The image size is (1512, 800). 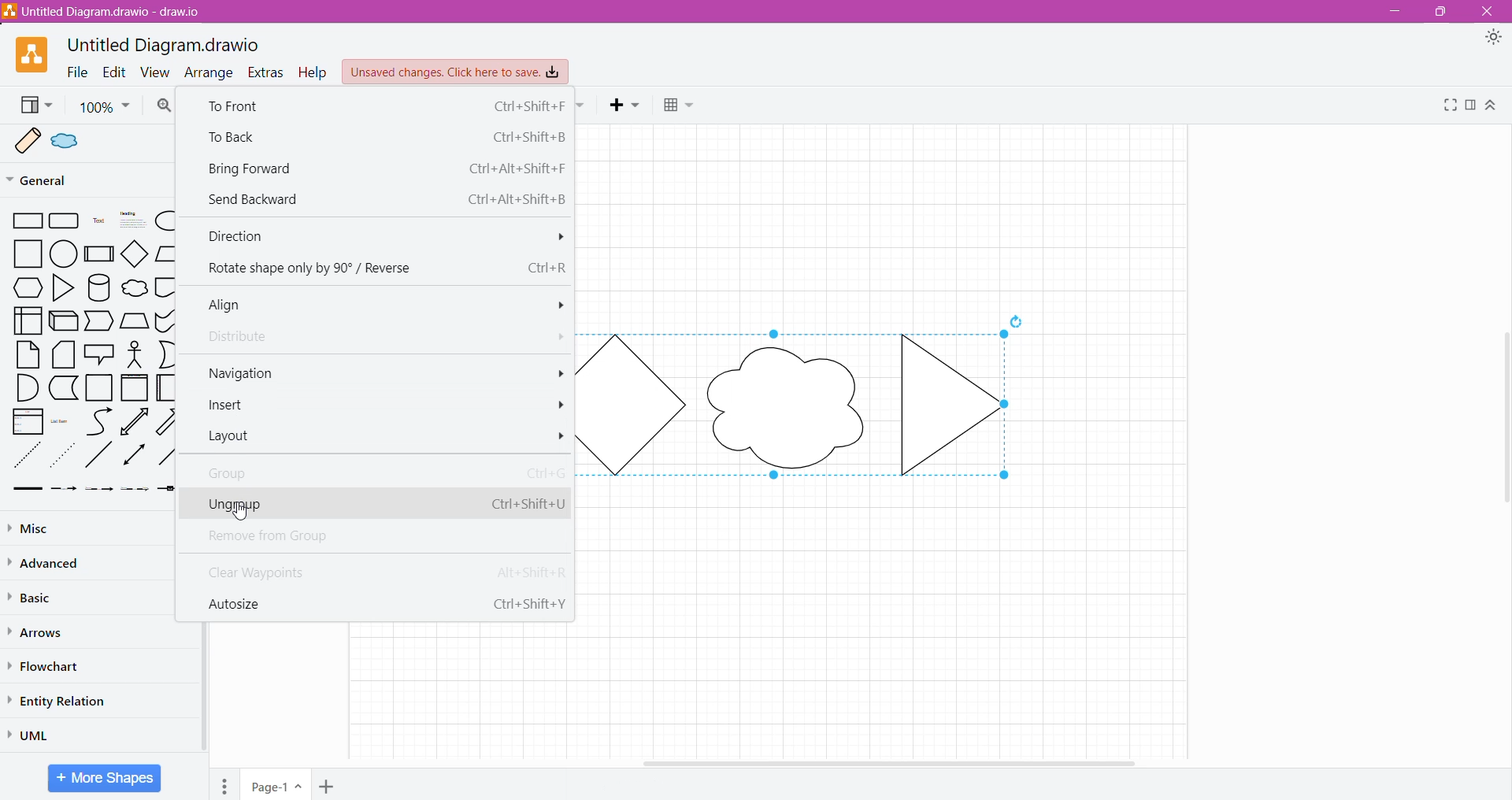 I want to click on Untitled Diagram.drawio, so click(x=162, y=43).